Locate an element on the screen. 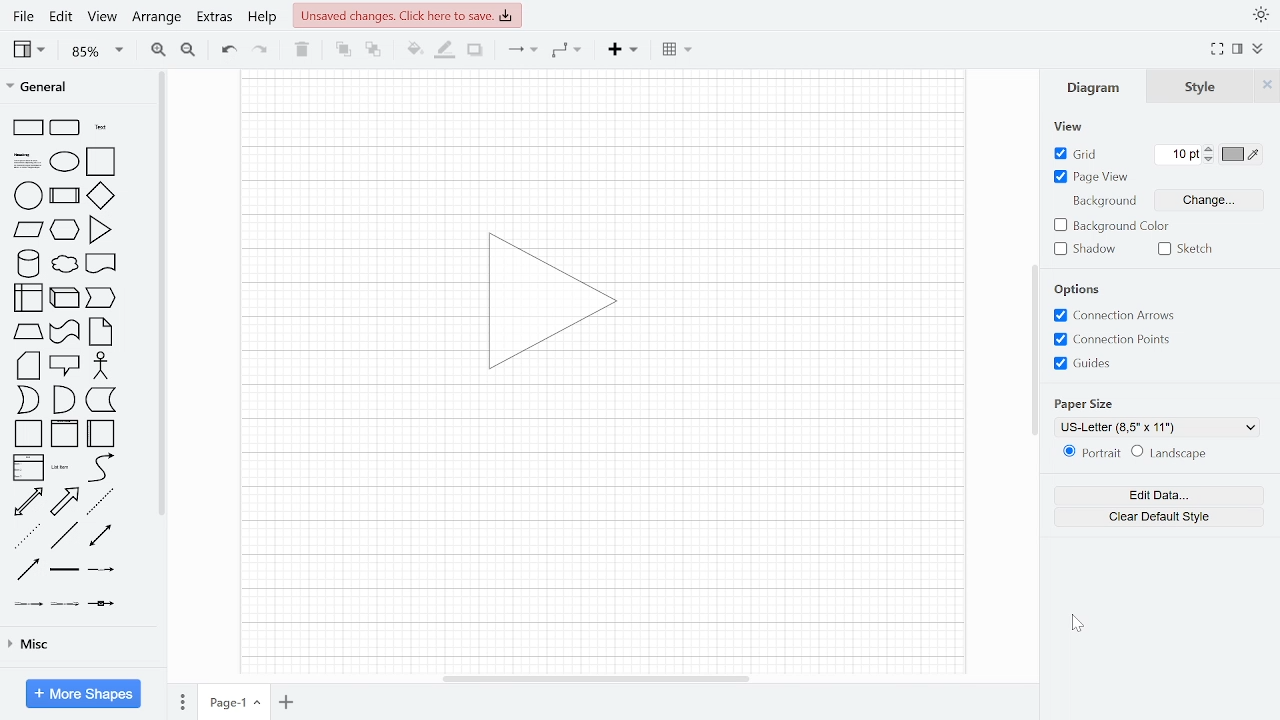 The image size is (1280, 720). Background is located at coordinates (1104, 201).